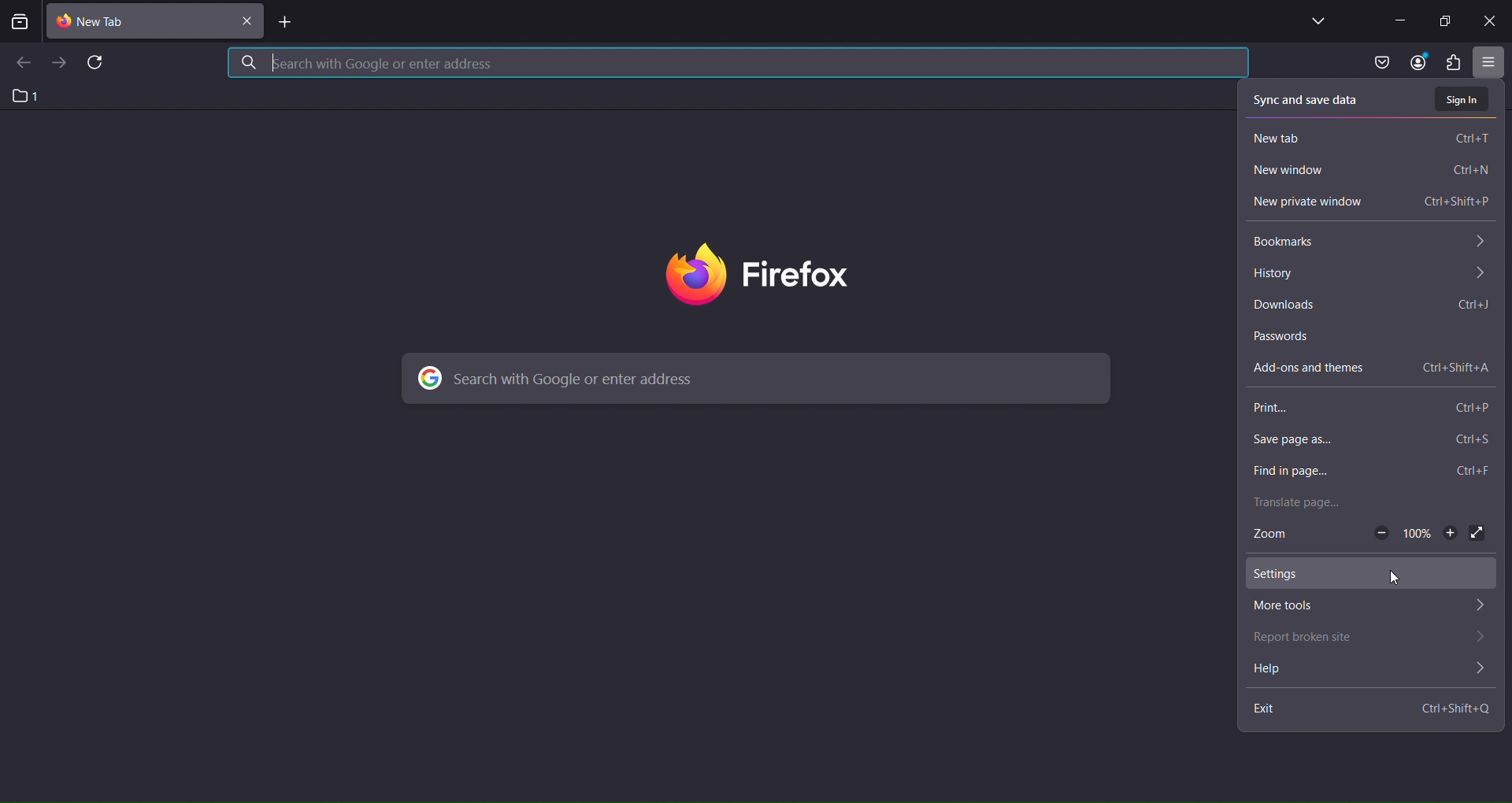  What do you see at coordinates (1478, 534) in the screenshot?
I see `display in full screen` at bounding box center [1478, 534].